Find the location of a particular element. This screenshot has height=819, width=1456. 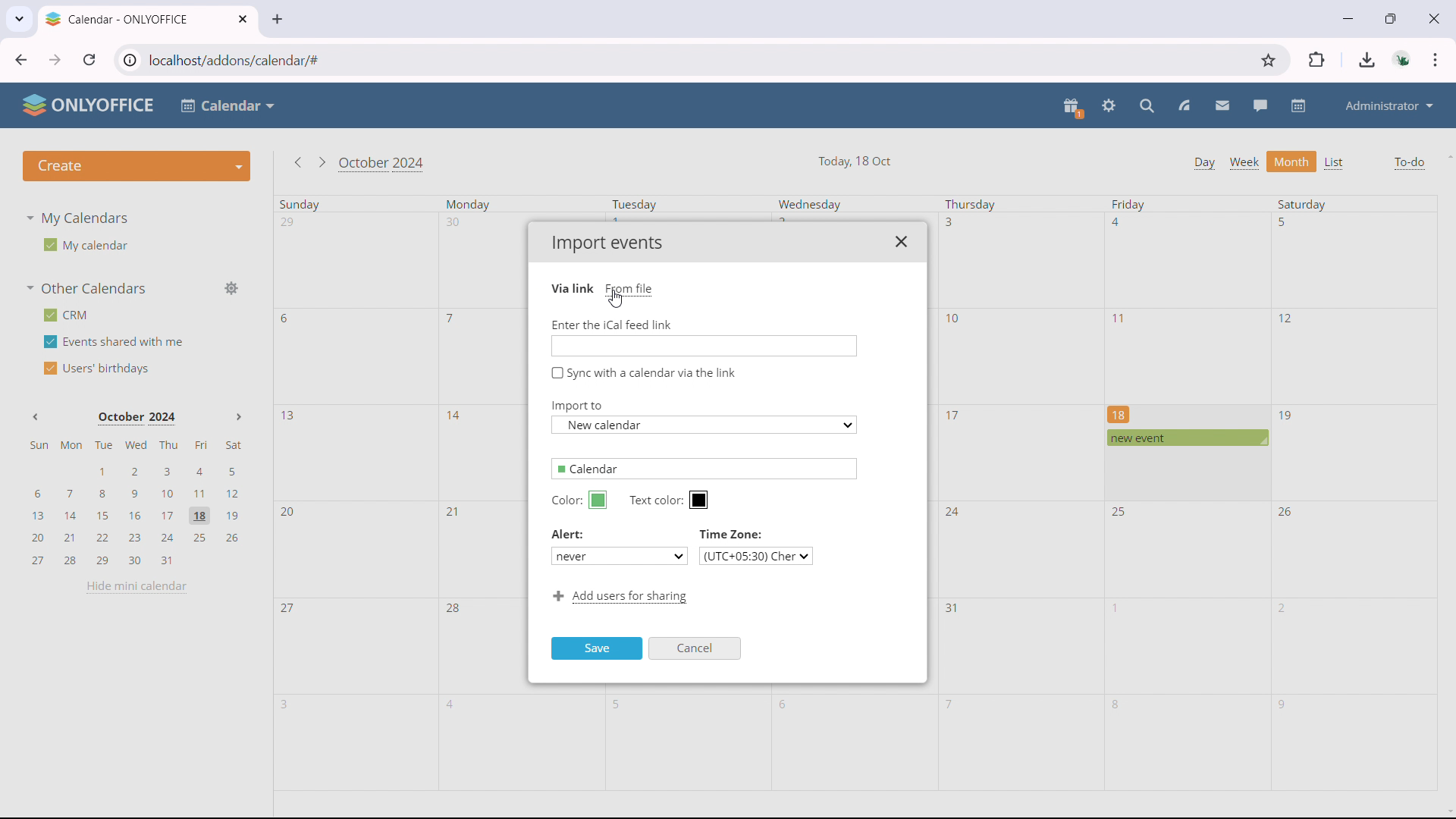

6 is located at coordinates (786, 705).